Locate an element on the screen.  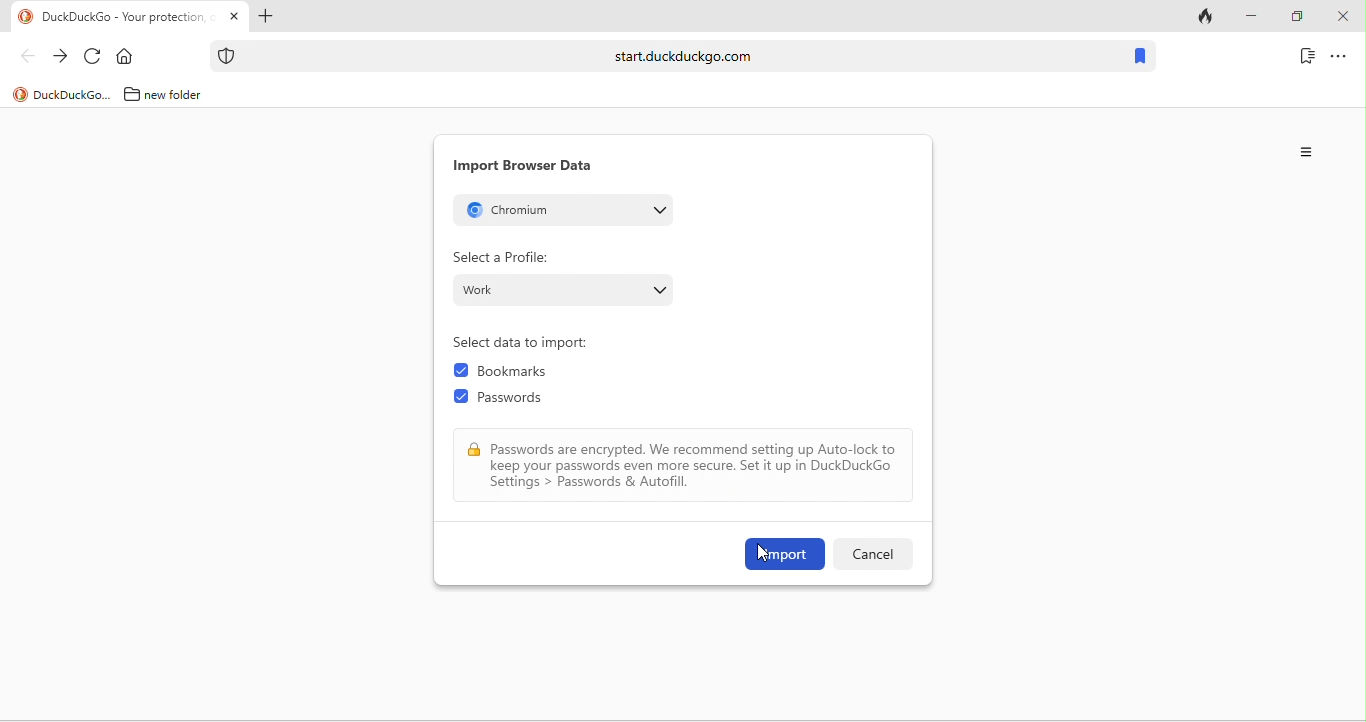
maximize is located at coordinates (1296, 17).